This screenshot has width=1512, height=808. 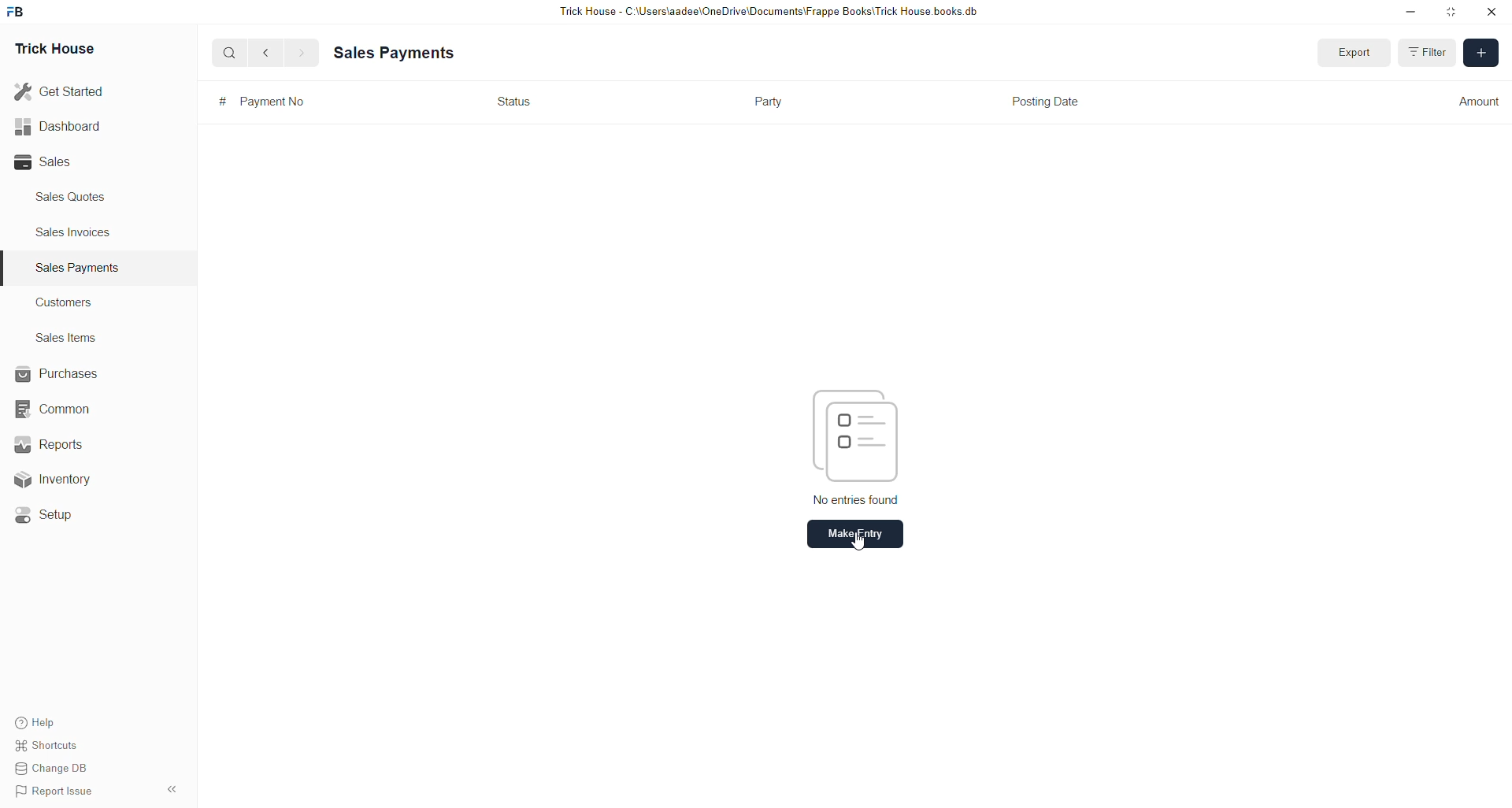 What do you see at coordinates (72, 196) in the screenshot?
I see `Sales Quotes.` at bounding box center [72, 196].